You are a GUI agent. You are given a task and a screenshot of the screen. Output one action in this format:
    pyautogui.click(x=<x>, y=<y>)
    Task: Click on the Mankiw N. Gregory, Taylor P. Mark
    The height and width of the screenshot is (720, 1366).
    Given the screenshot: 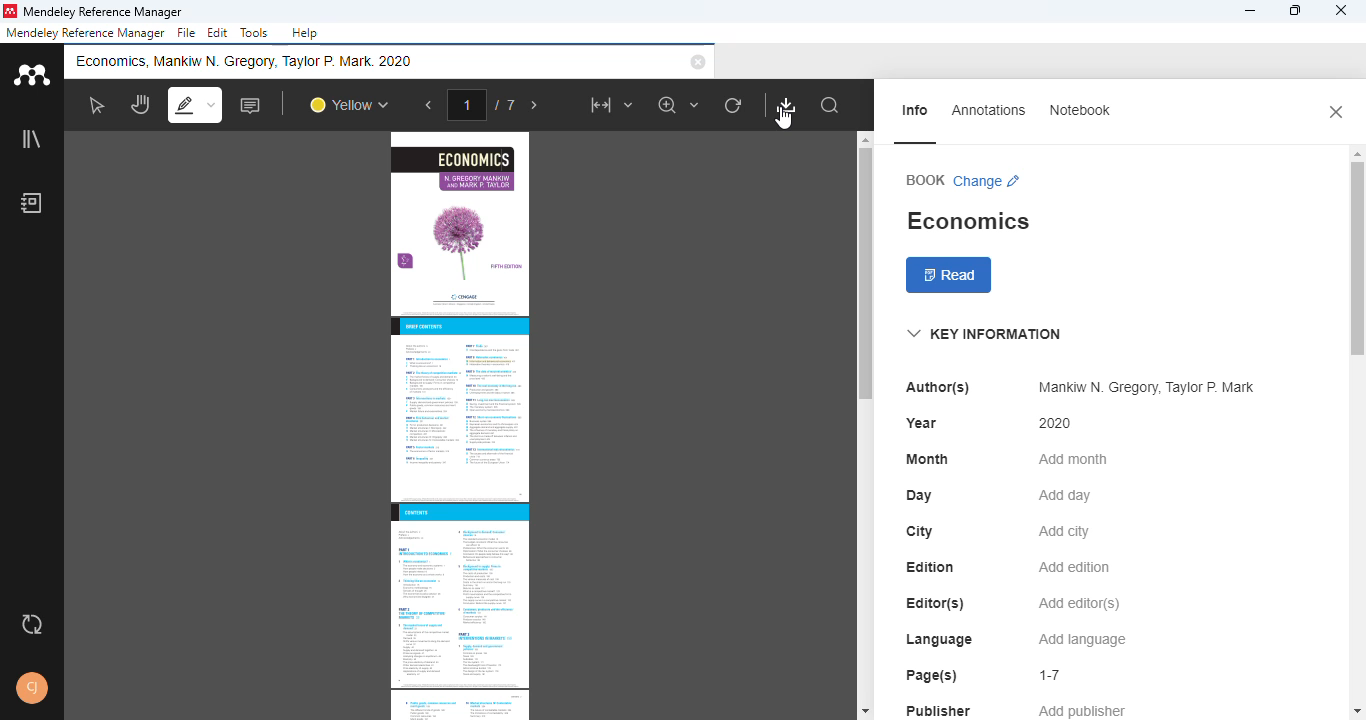 What is the action you would take?
    pyautogui.click(x=1142, y=388)
    